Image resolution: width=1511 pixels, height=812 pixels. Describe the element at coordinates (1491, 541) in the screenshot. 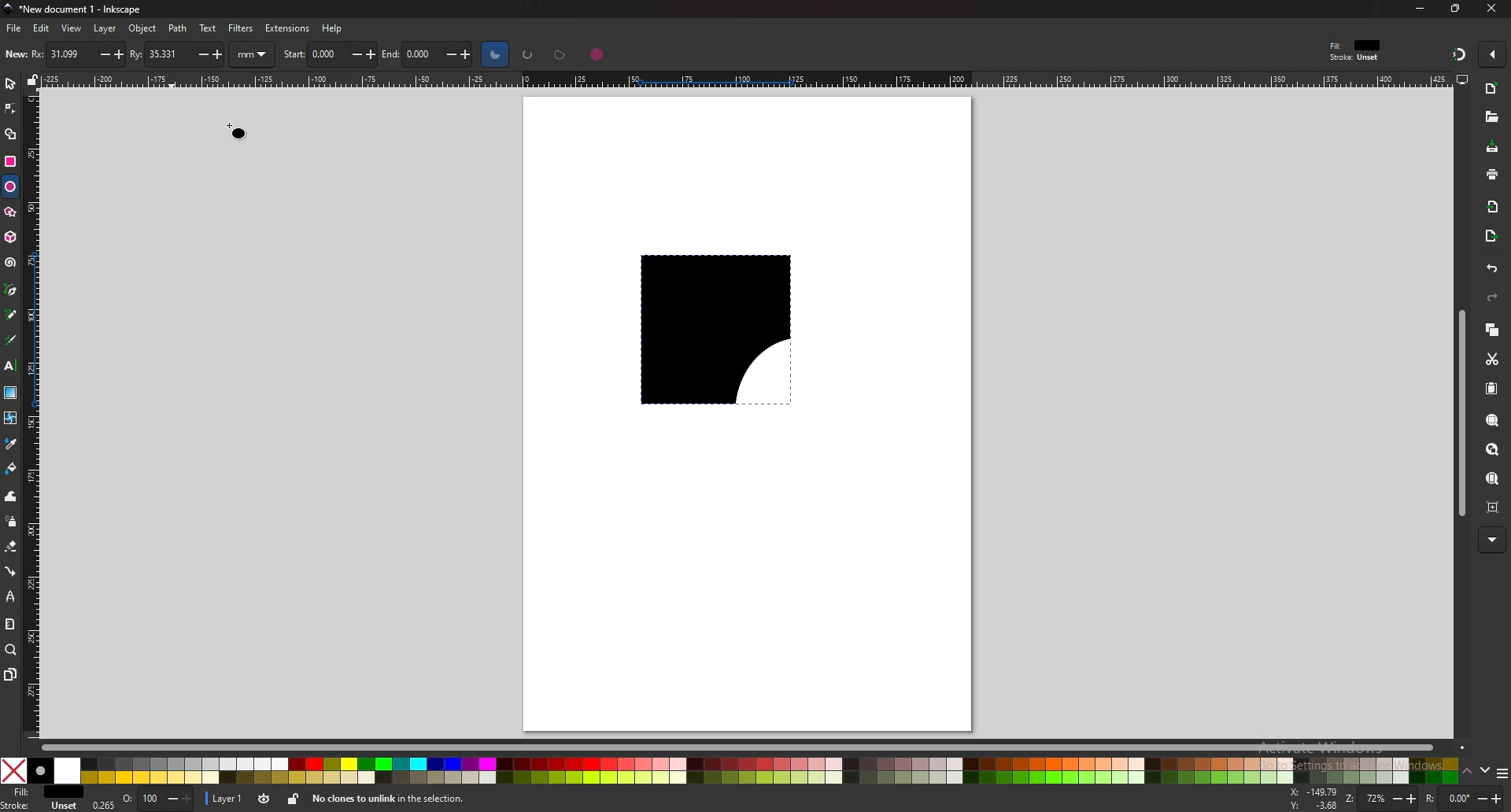

I see `more` at that location.